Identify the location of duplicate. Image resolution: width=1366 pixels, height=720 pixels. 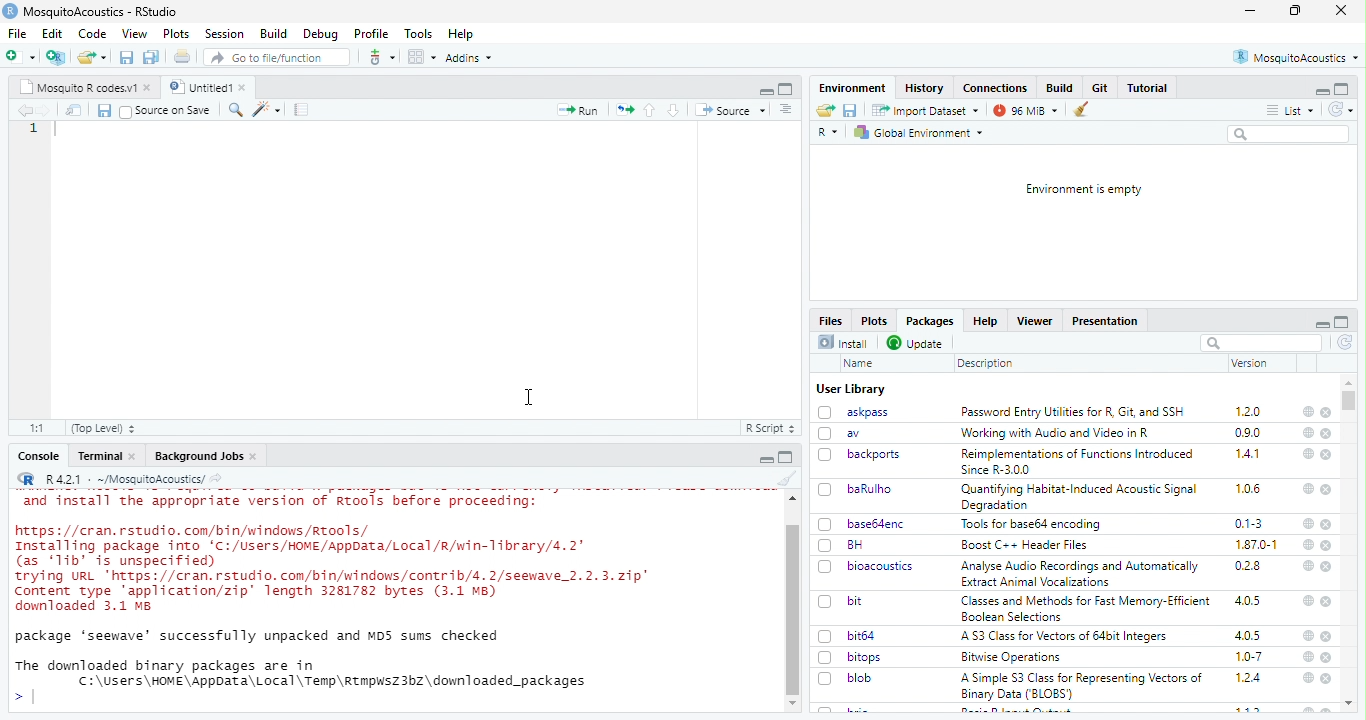
(152, 57).